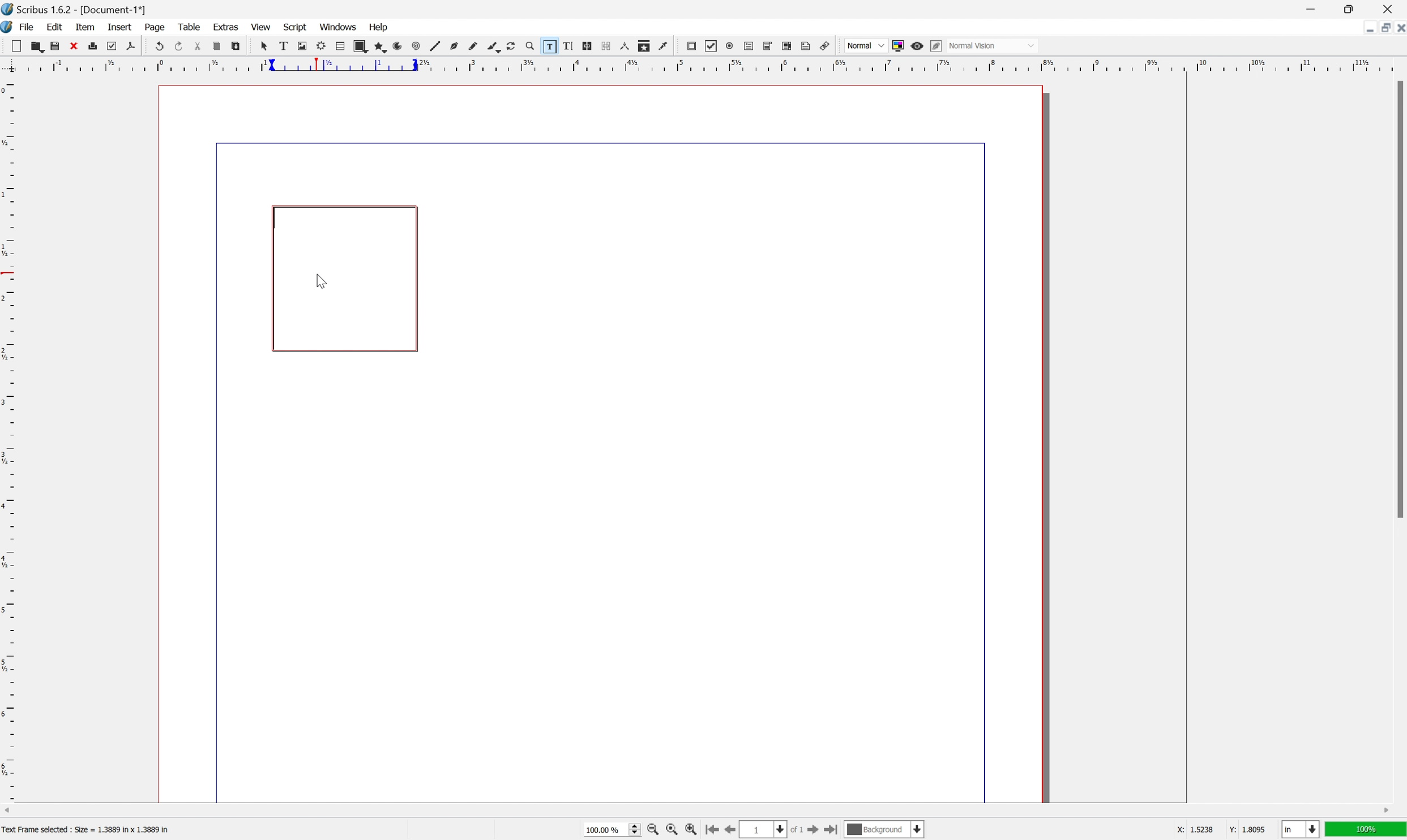  What do you see at coordinates (749, 46) in the screenshot?
I see `pdf text field` at bounding box center [749, 46].